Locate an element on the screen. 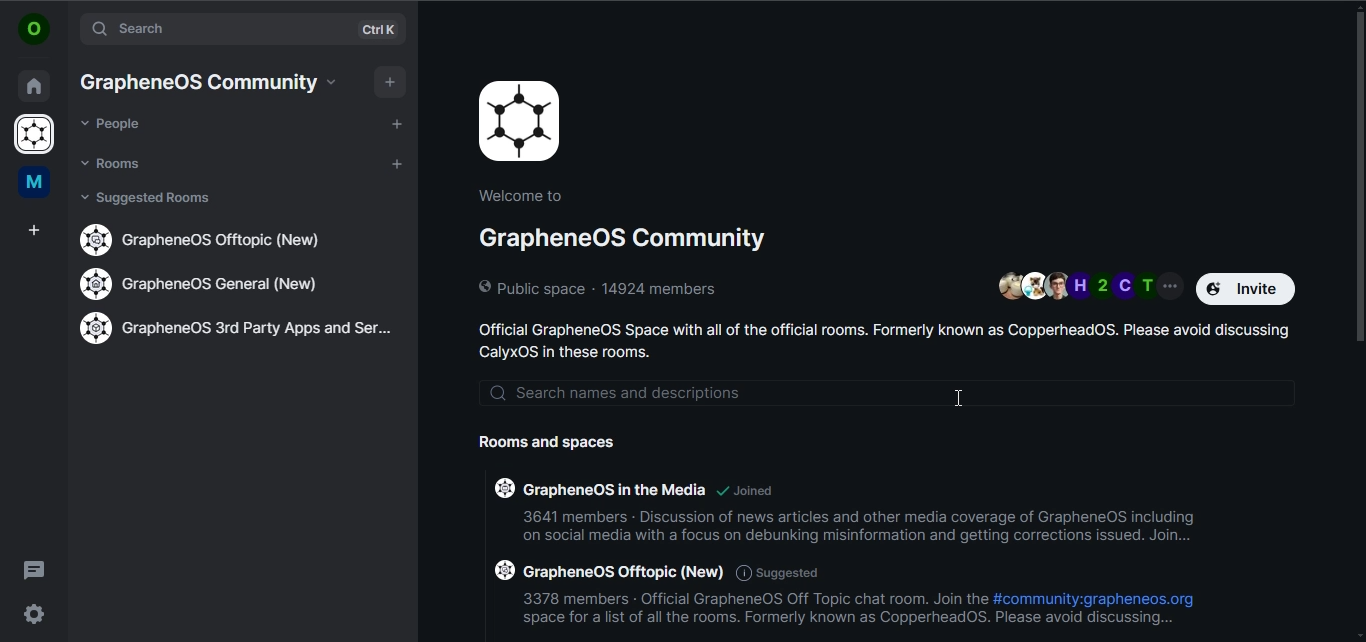  space for a list of all the rooms. Formerly known as CopperheadOS. Please avoid discussing... is located at coordinates (847, 620).